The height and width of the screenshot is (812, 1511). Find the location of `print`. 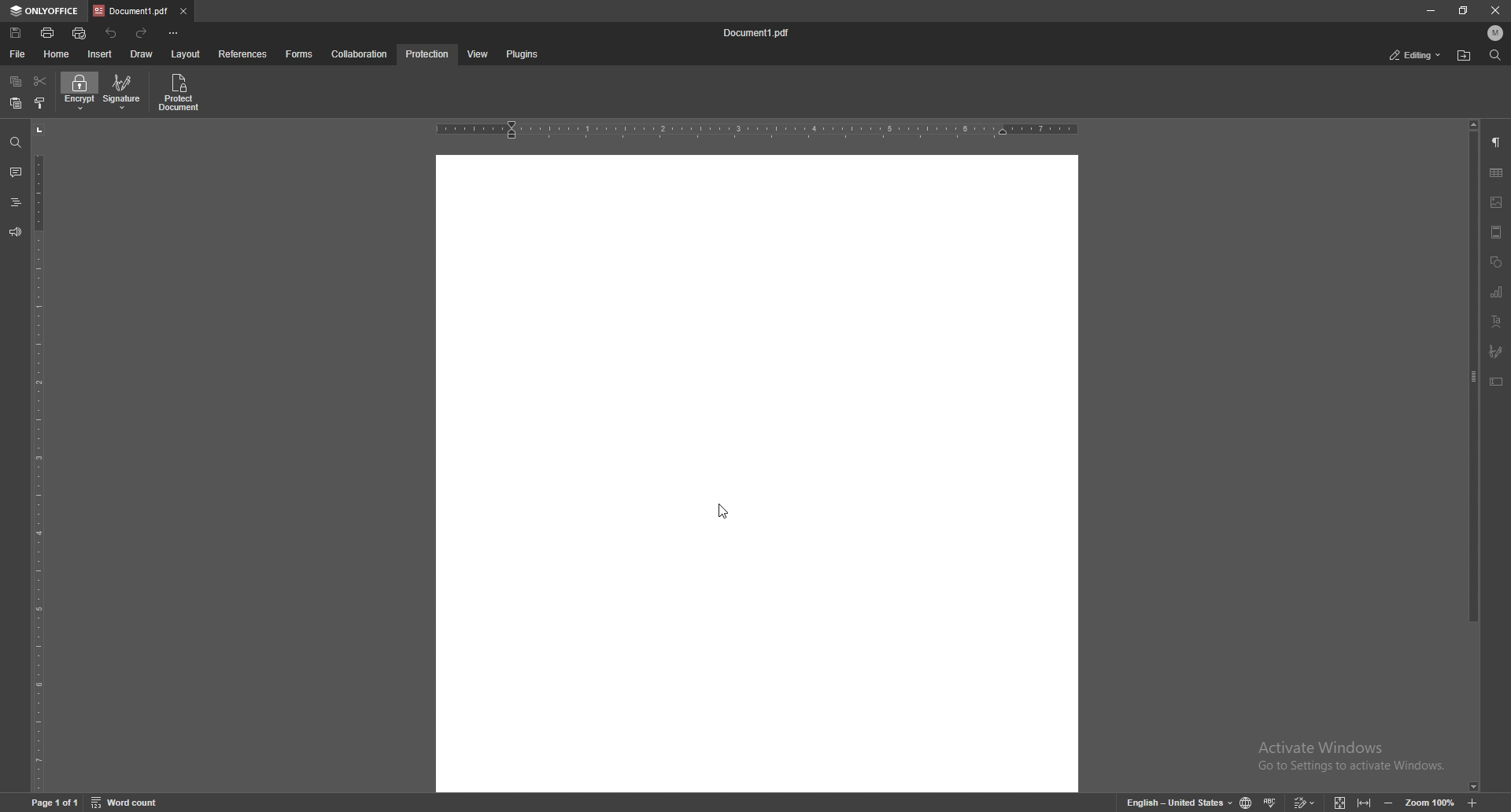

print is located at coordinates (48, 33).